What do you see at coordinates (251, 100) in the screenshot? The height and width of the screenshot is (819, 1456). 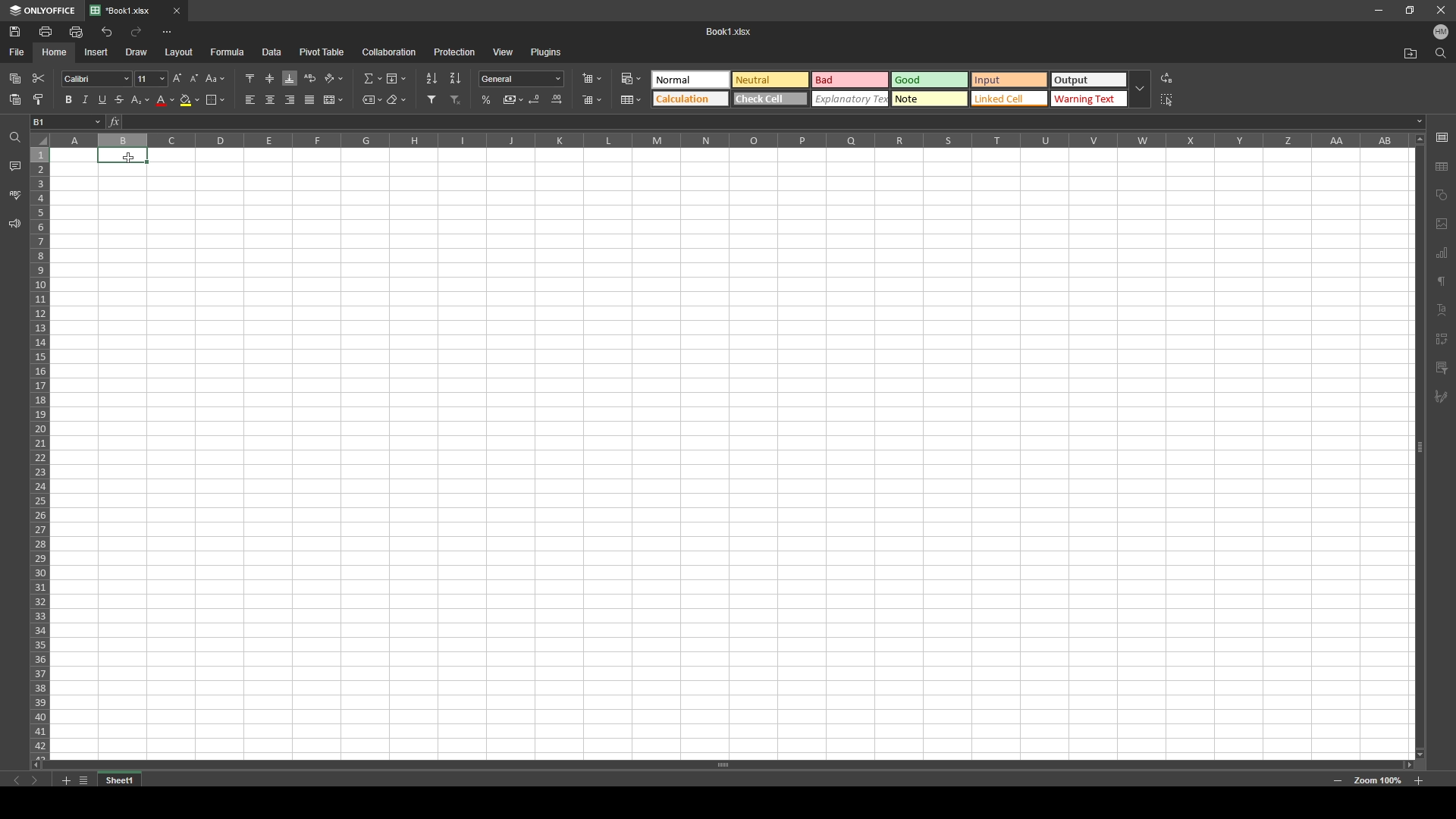 I see `align left` at bounding box center [251, 100].